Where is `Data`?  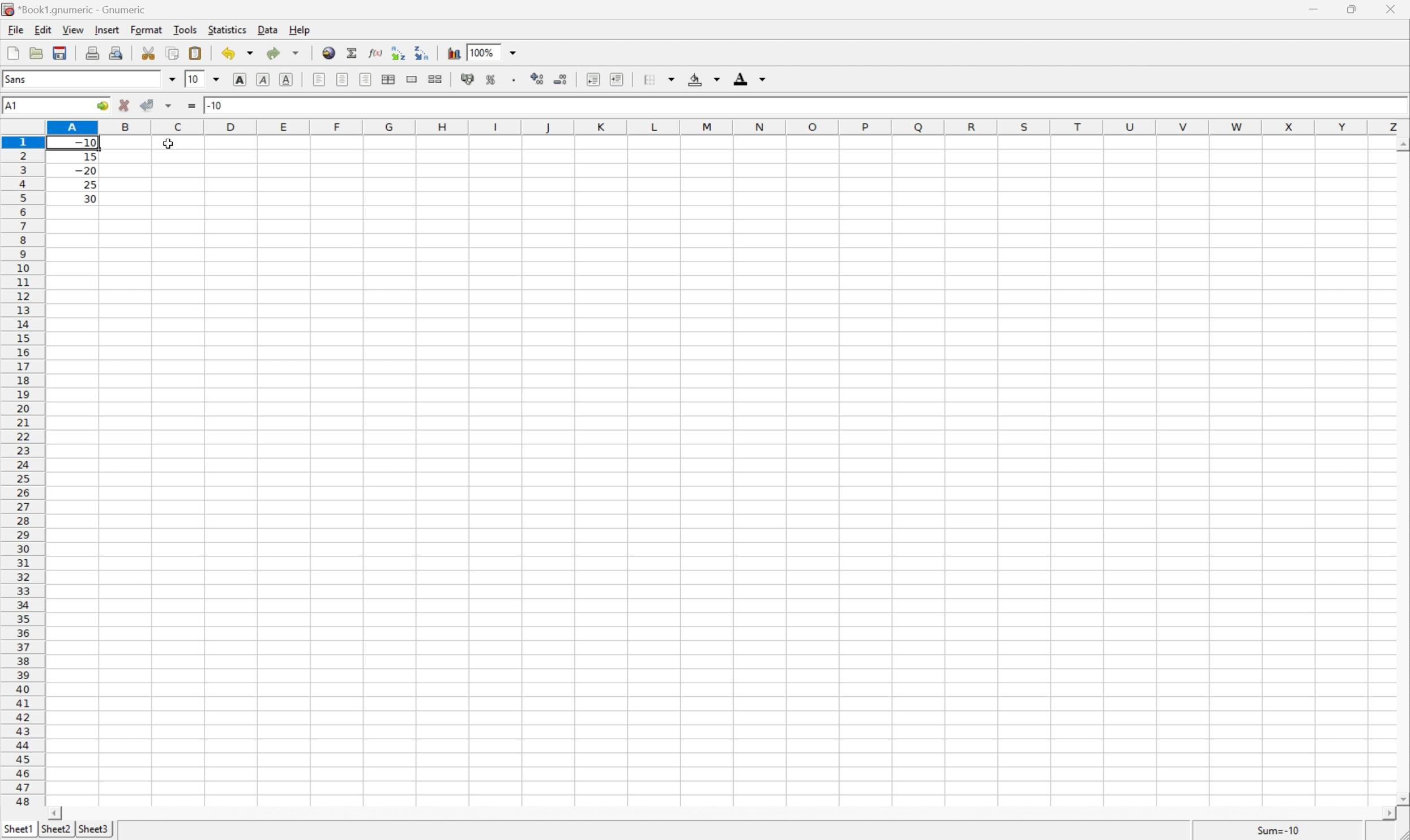 Data is located at coordinates (271, 31).